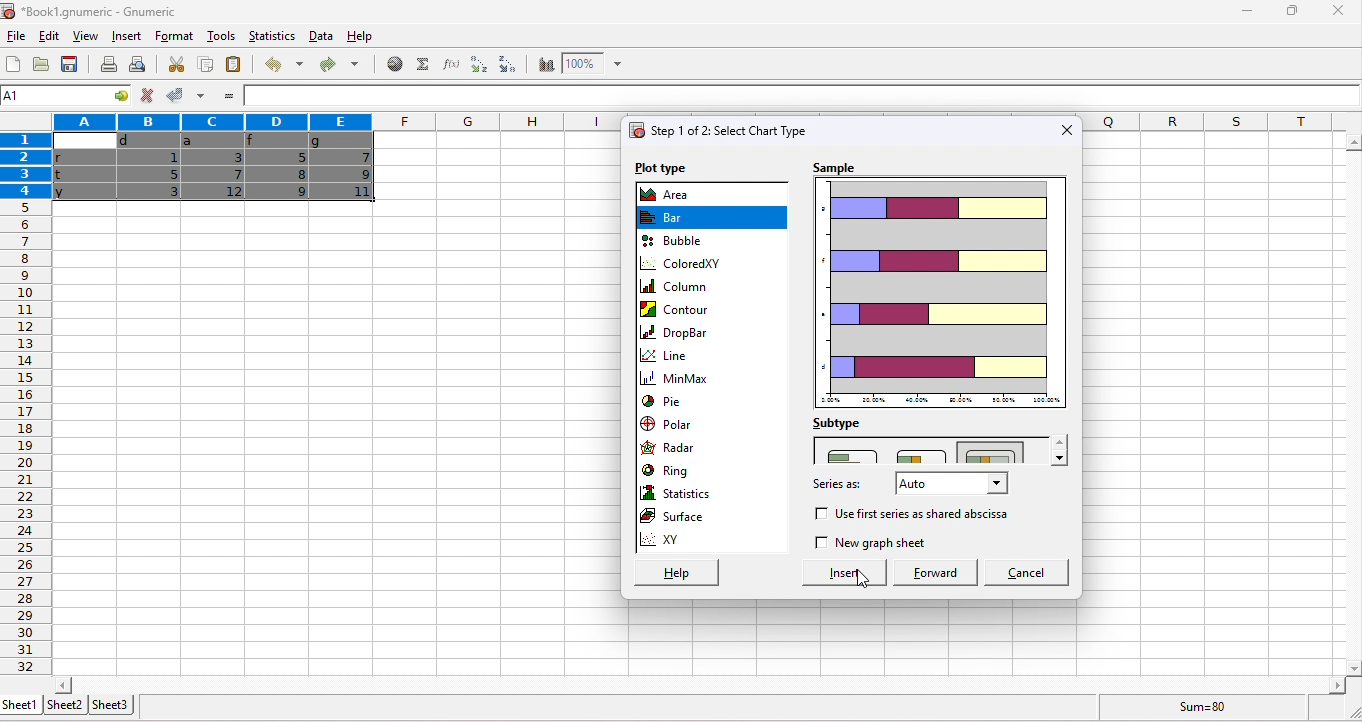 The image size is (1362, 722). Describe the element at coordinates (175, 36) in the screenshot. I see `format` at that location.